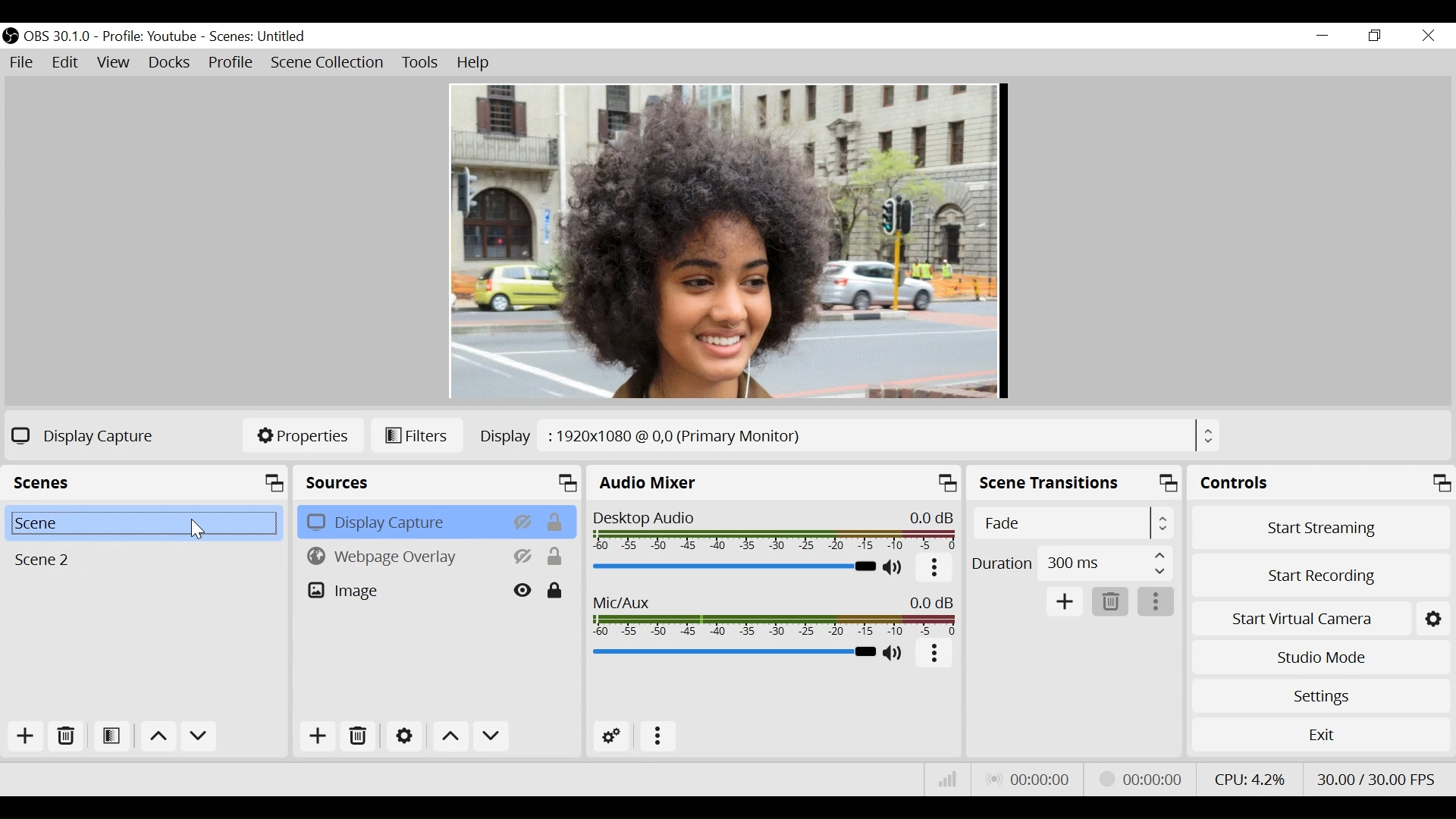 Image resolution: width=1456 pixels, height=819 pixels. What do you see at coordinates (1145, 780) in the screenshot?
I see `Streaming Status` at bounding box center [1145, 780].